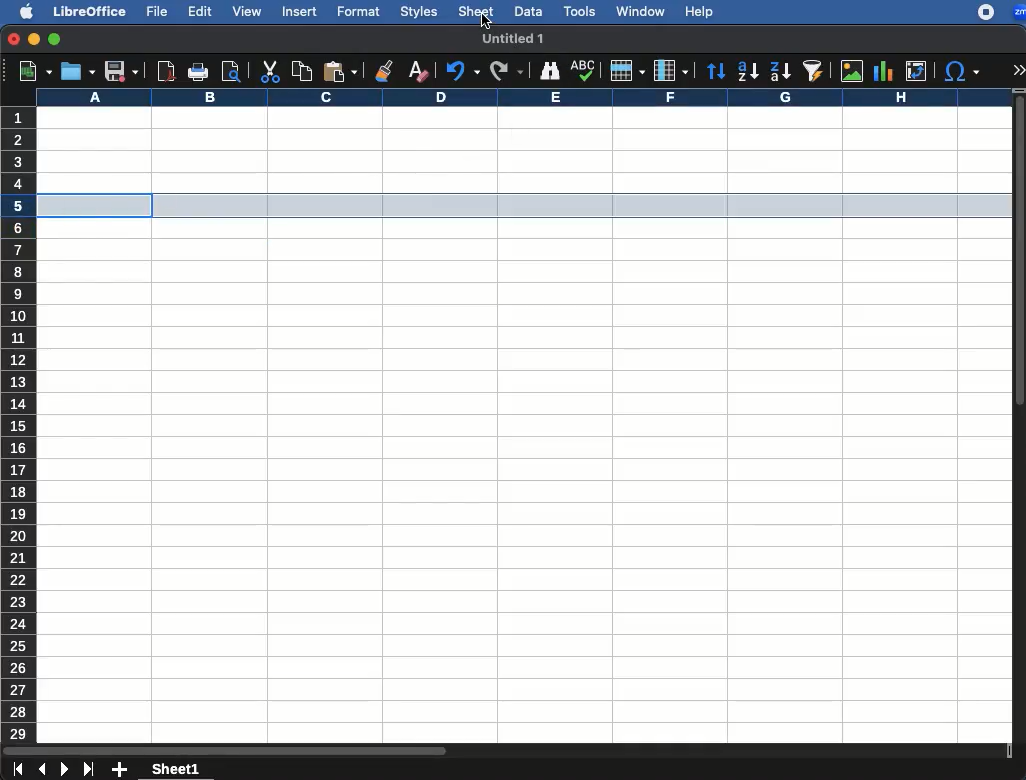 This screenshot has width=1026, height=780. I want to click on rows, so click(17, 425).